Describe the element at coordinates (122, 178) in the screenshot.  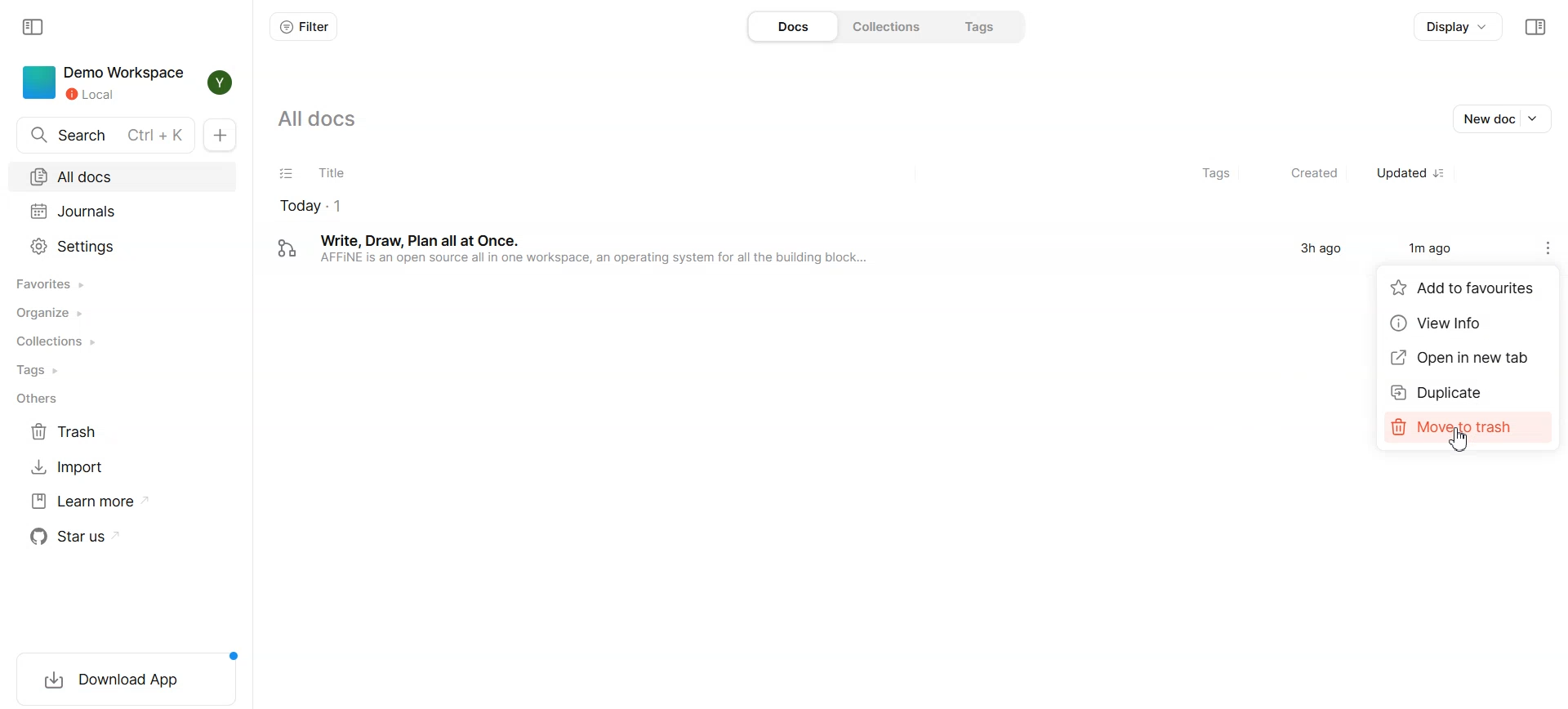
I see `All docs` at that location.